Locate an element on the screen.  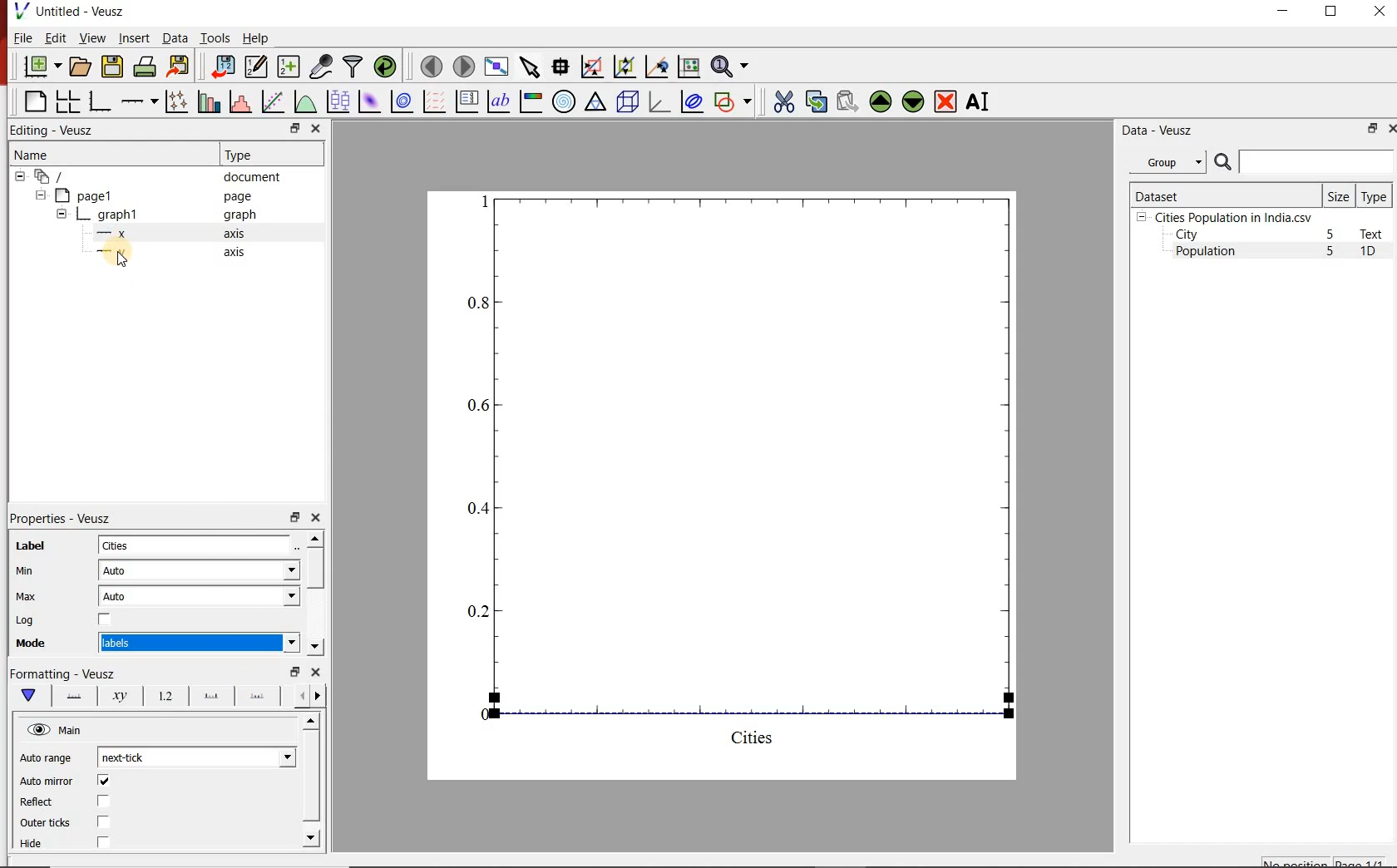
Main formatting is located at coordinates (32, 696).